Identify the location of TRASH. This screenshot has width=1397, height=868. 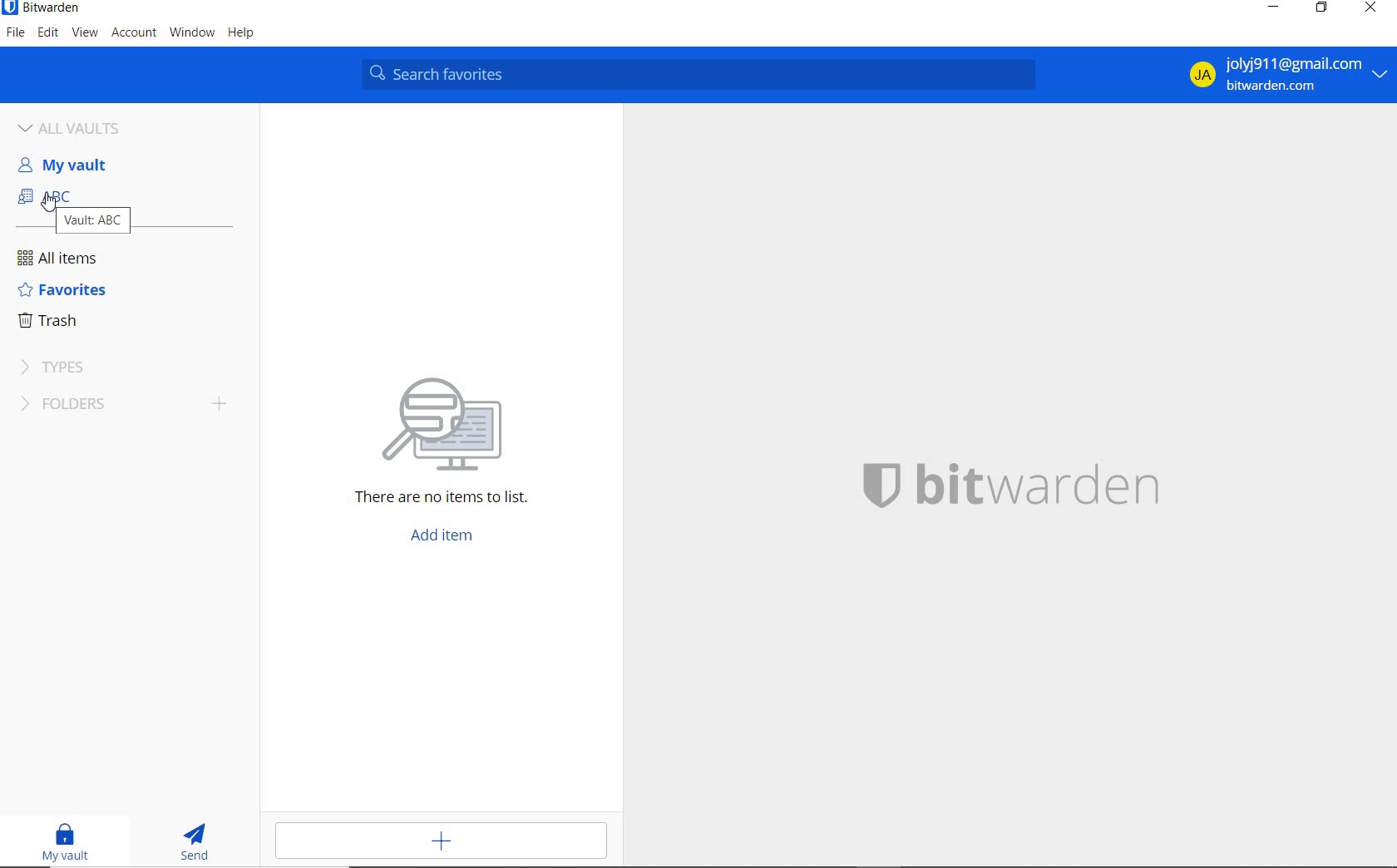
(57, 321).